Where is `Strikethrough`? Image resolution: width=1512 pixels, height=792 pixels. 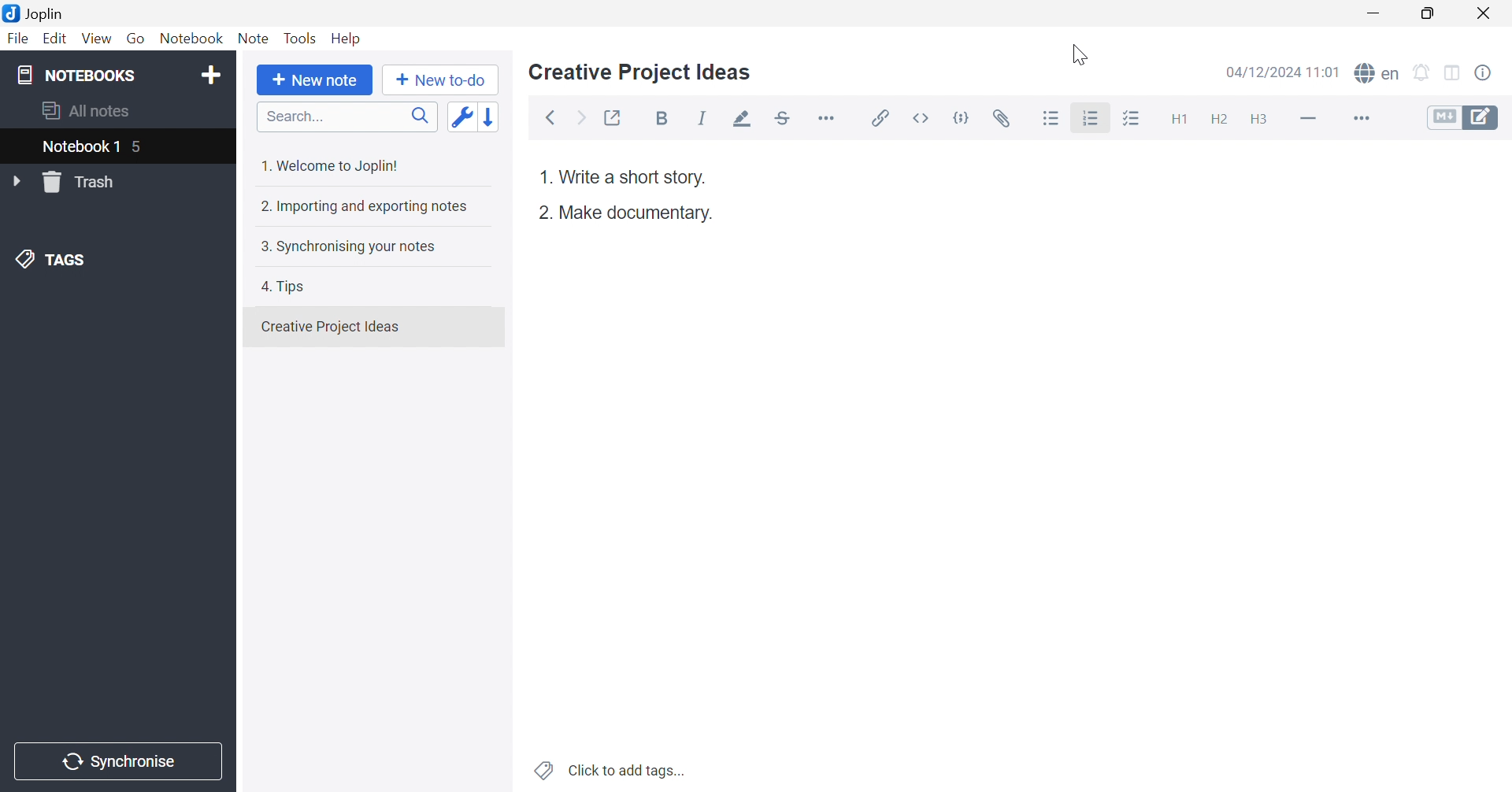 Strikethrough is located at coordinates (787, 120).